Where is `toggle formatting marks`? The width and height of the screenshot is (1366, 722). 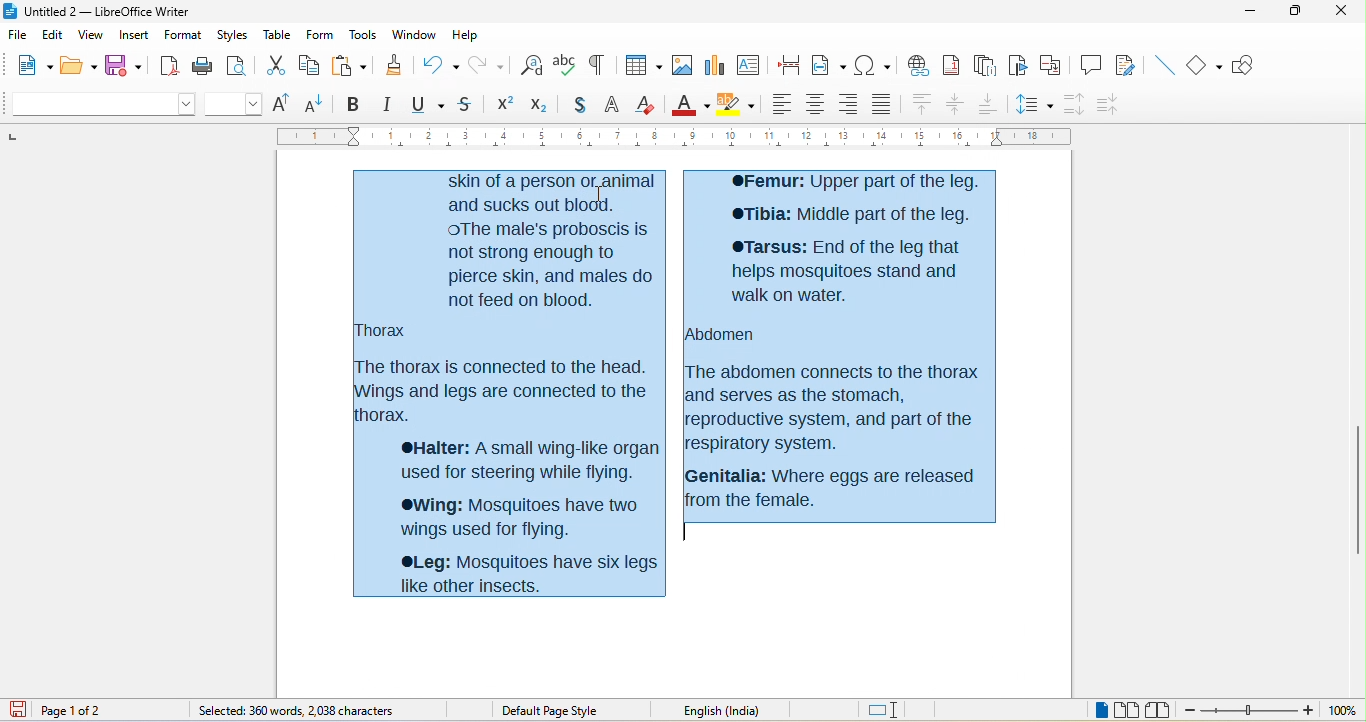
toggle formatting marks is located at coordinates (597, 63).